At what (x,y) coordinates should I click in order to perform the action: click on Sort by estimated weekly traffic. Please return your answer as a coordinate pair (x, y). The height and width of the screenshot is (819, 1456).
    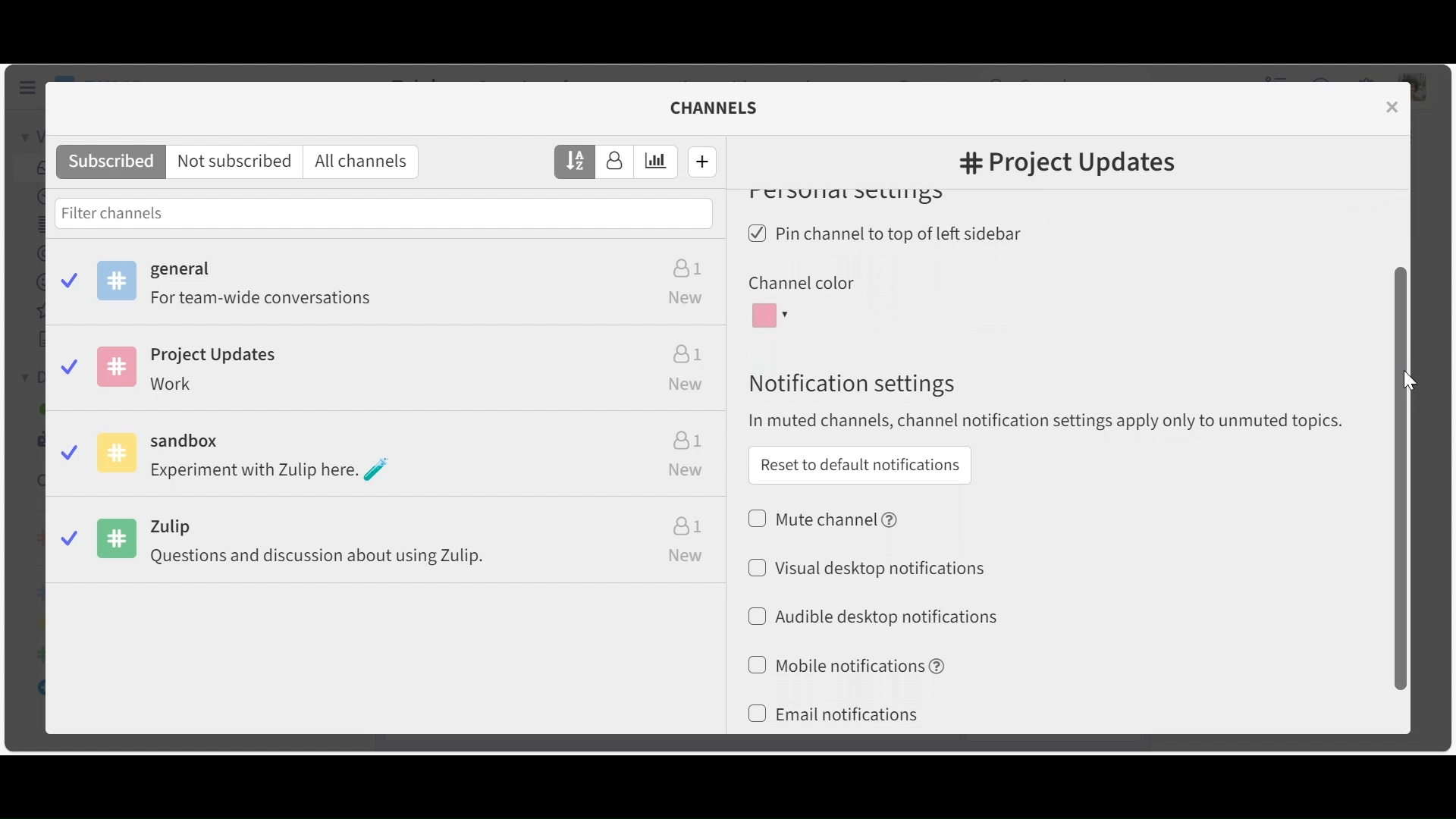
    Looking at the image, I should click on (657, 162).